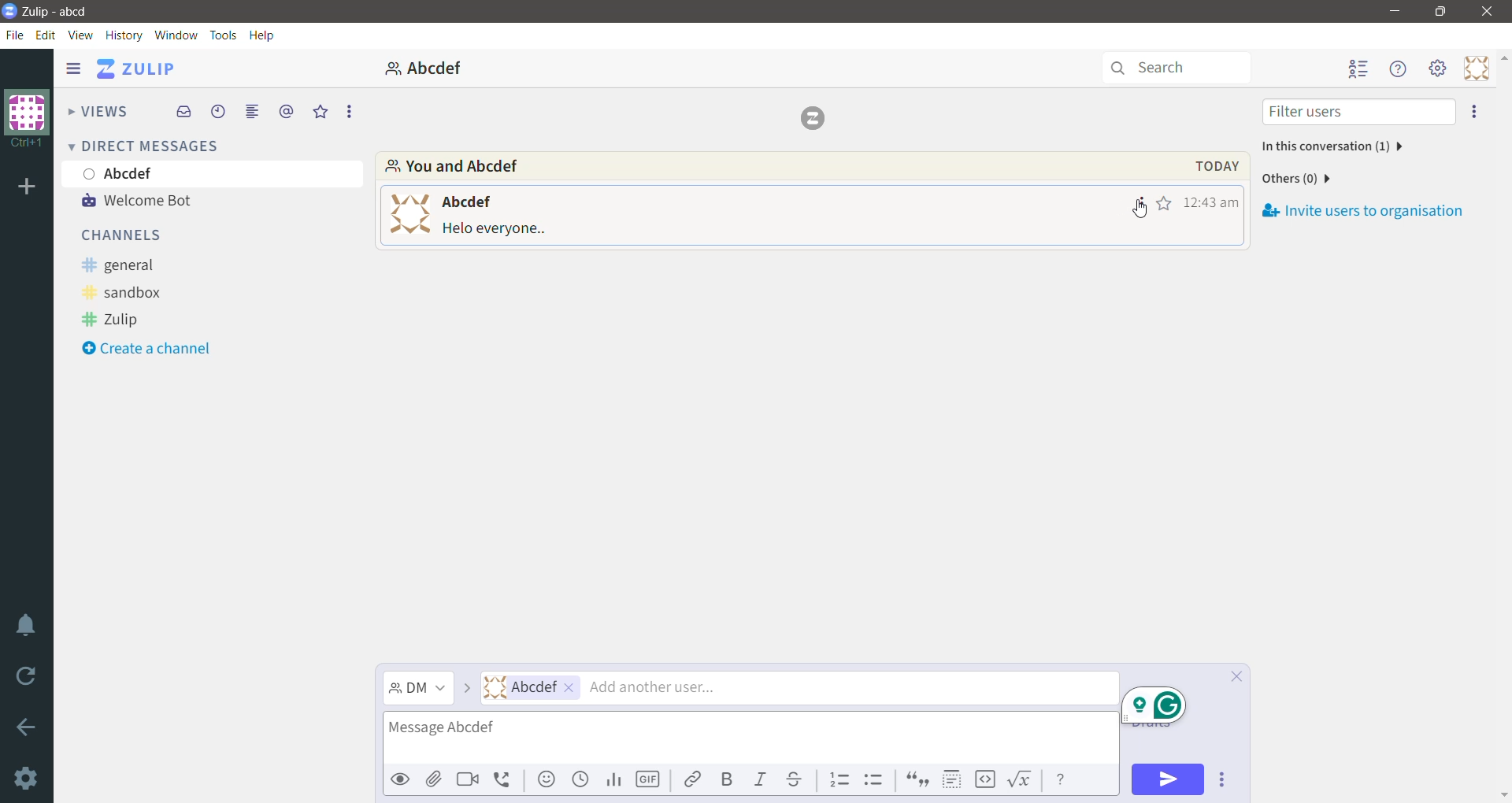  What do you see at coordinates (427, 67) in the screenshot?
I see `abcdef` at bounding box center [427, 67].